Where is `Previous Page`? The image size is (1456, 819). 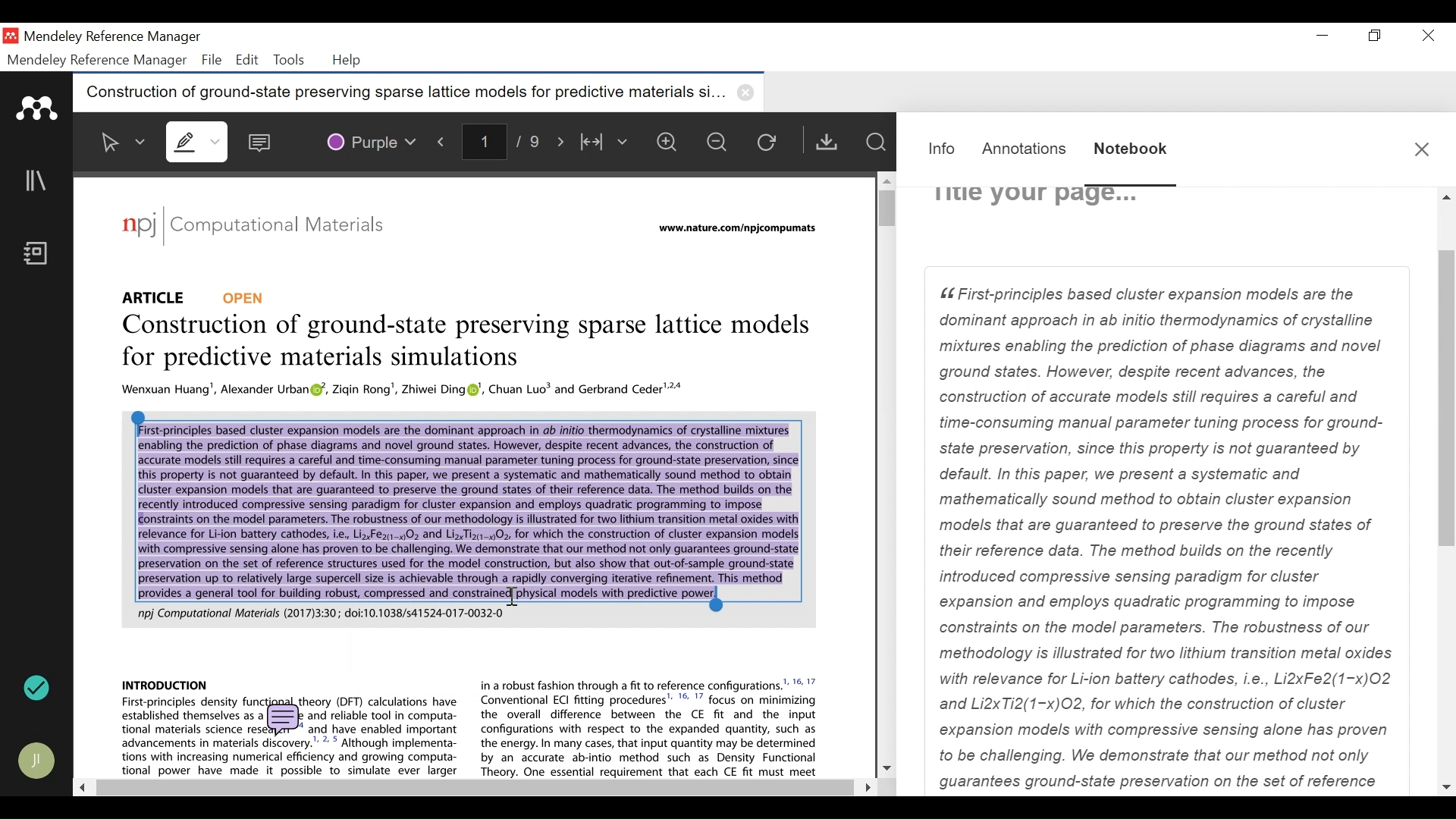 Previous Page is located at coordinates (444, 139).